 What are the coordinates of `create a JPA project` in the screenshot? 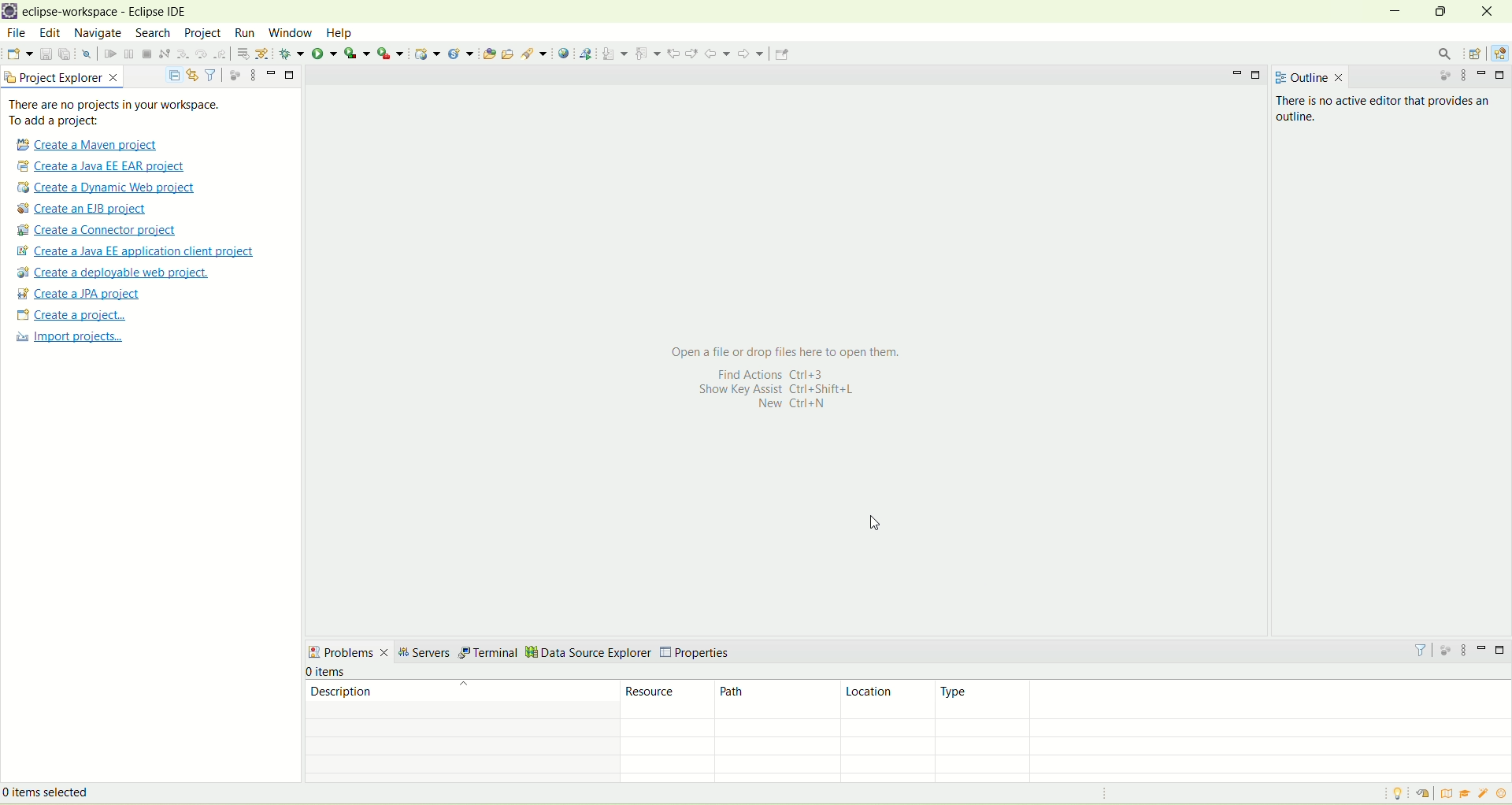 It's located at (80, 294).